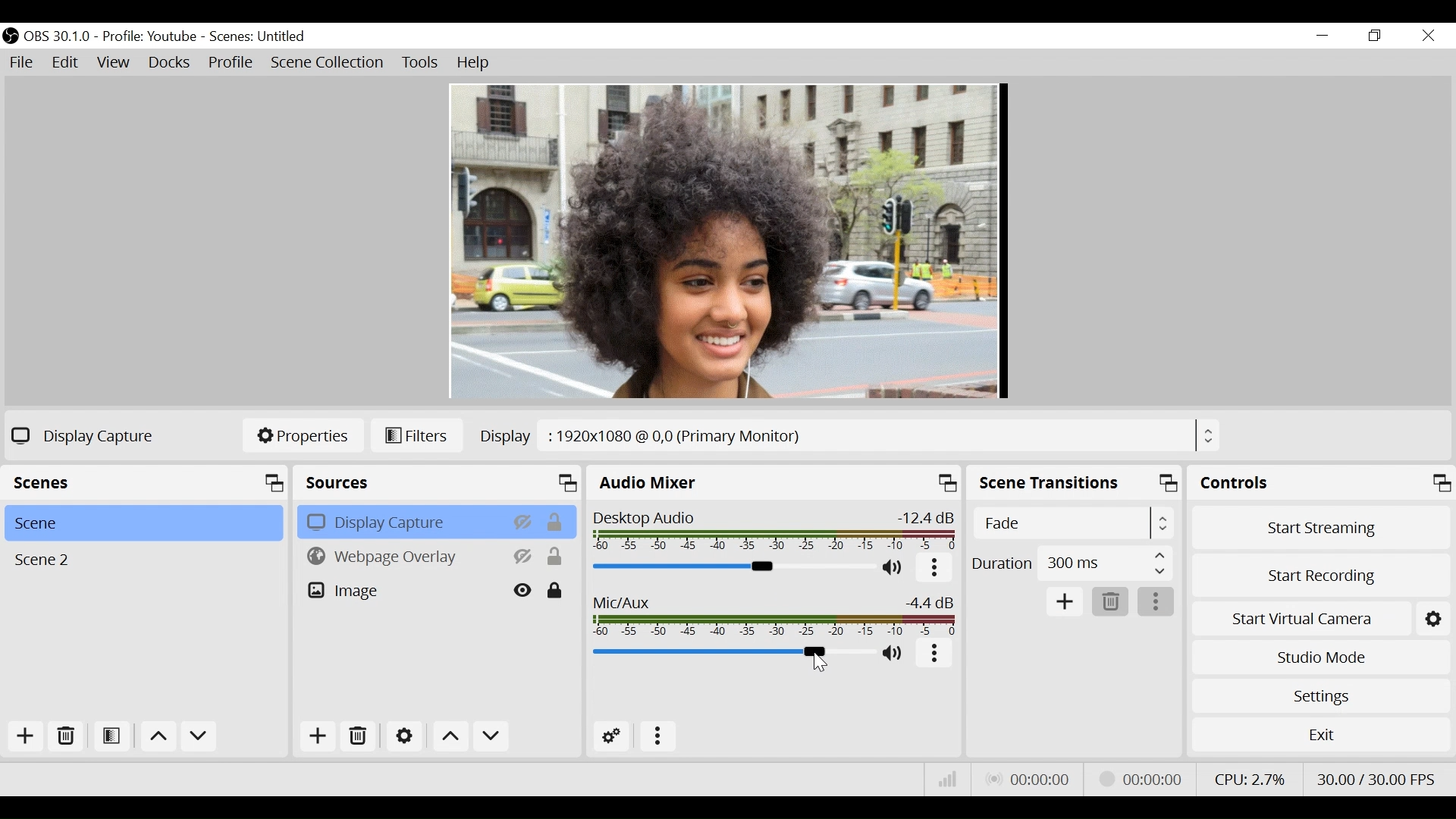  I want to click on hide/display, so click(524, 591).